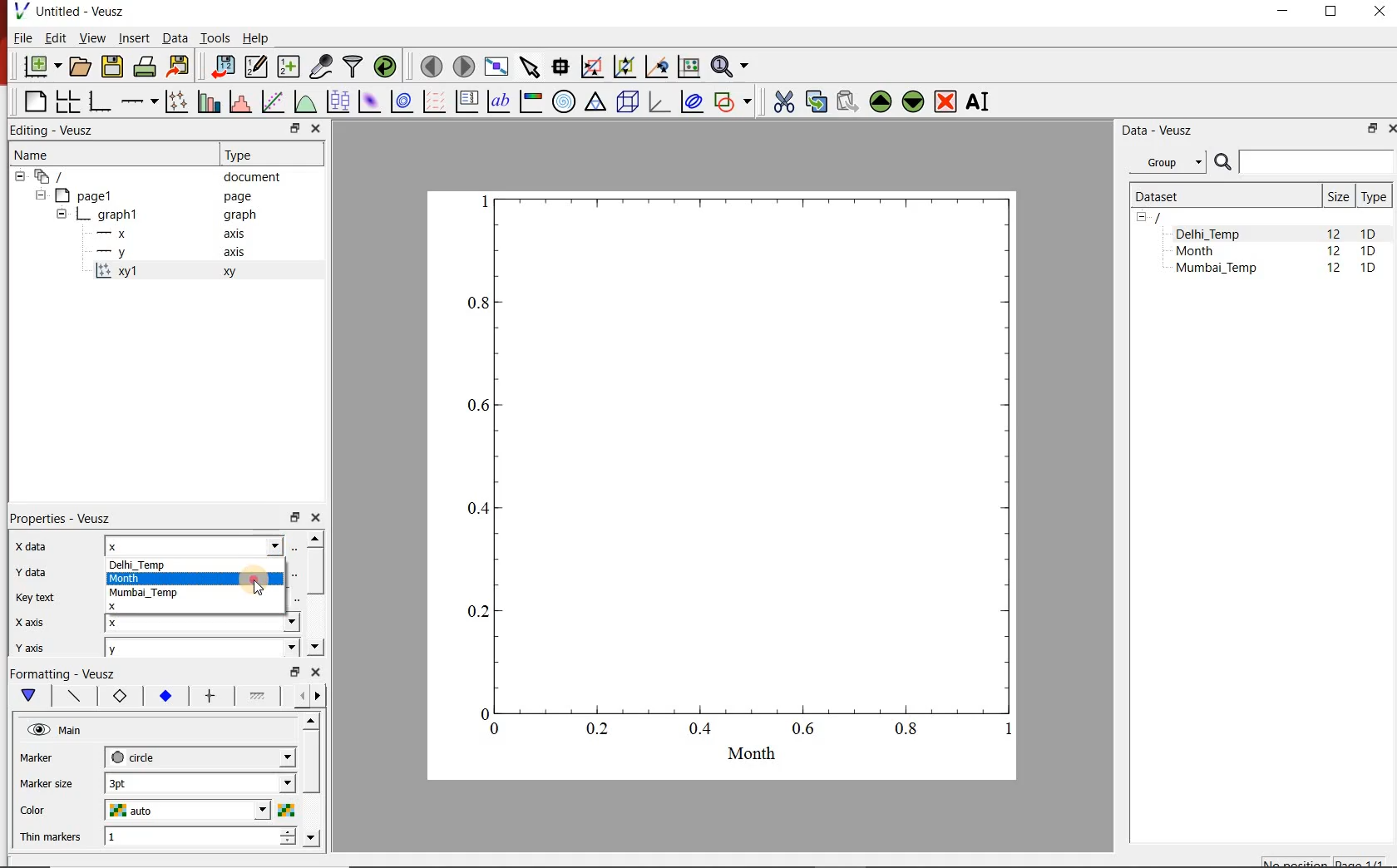 This screenshot has width=1397, height=868. Describe the element at coordinates (1303, 163) in the screenshot. I see `SEARCH DATASETS` at that location.